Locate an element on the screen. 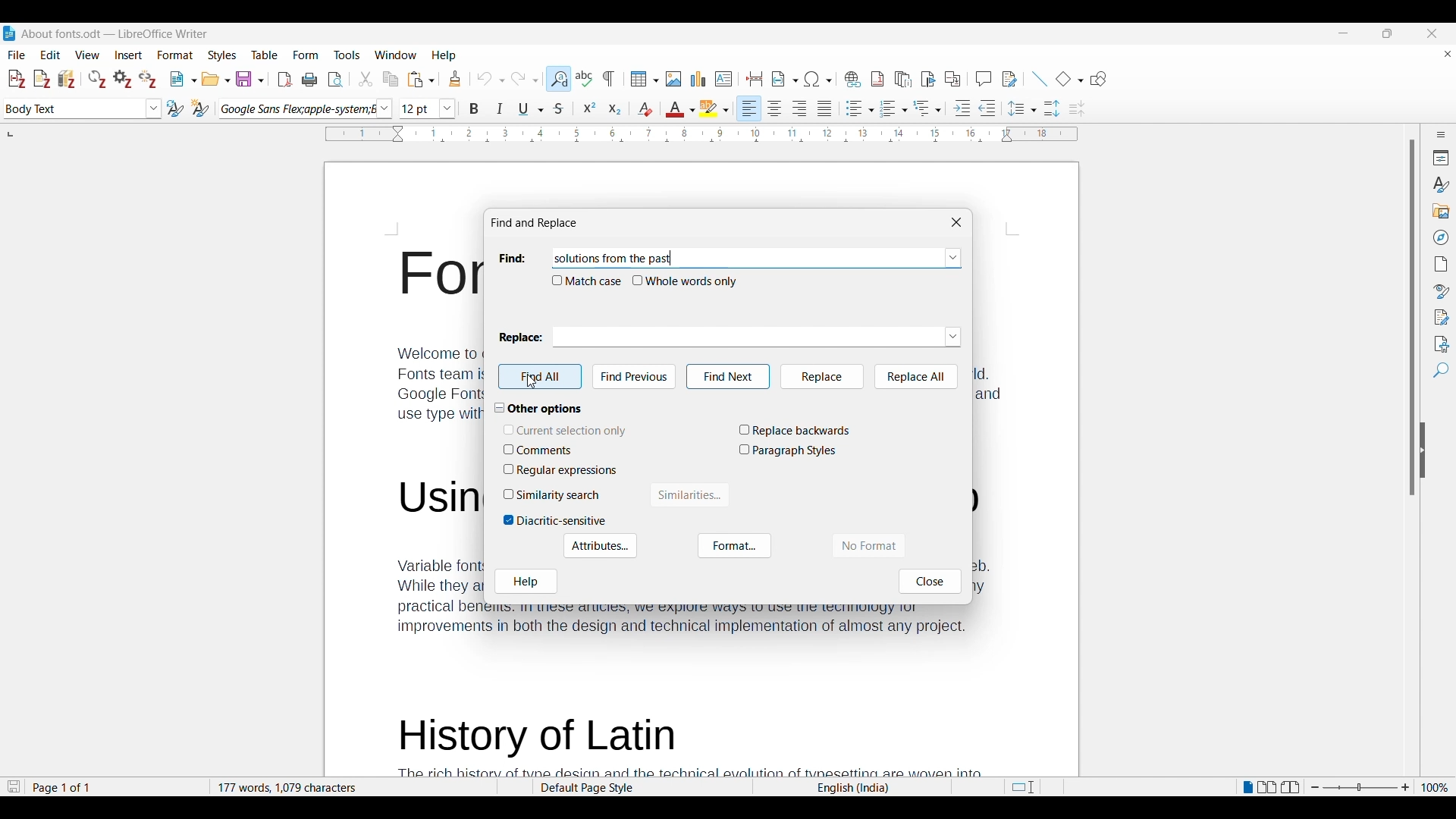 This screenshot has height=819, width=1456. New and New options is located at coordinates (183, 79).